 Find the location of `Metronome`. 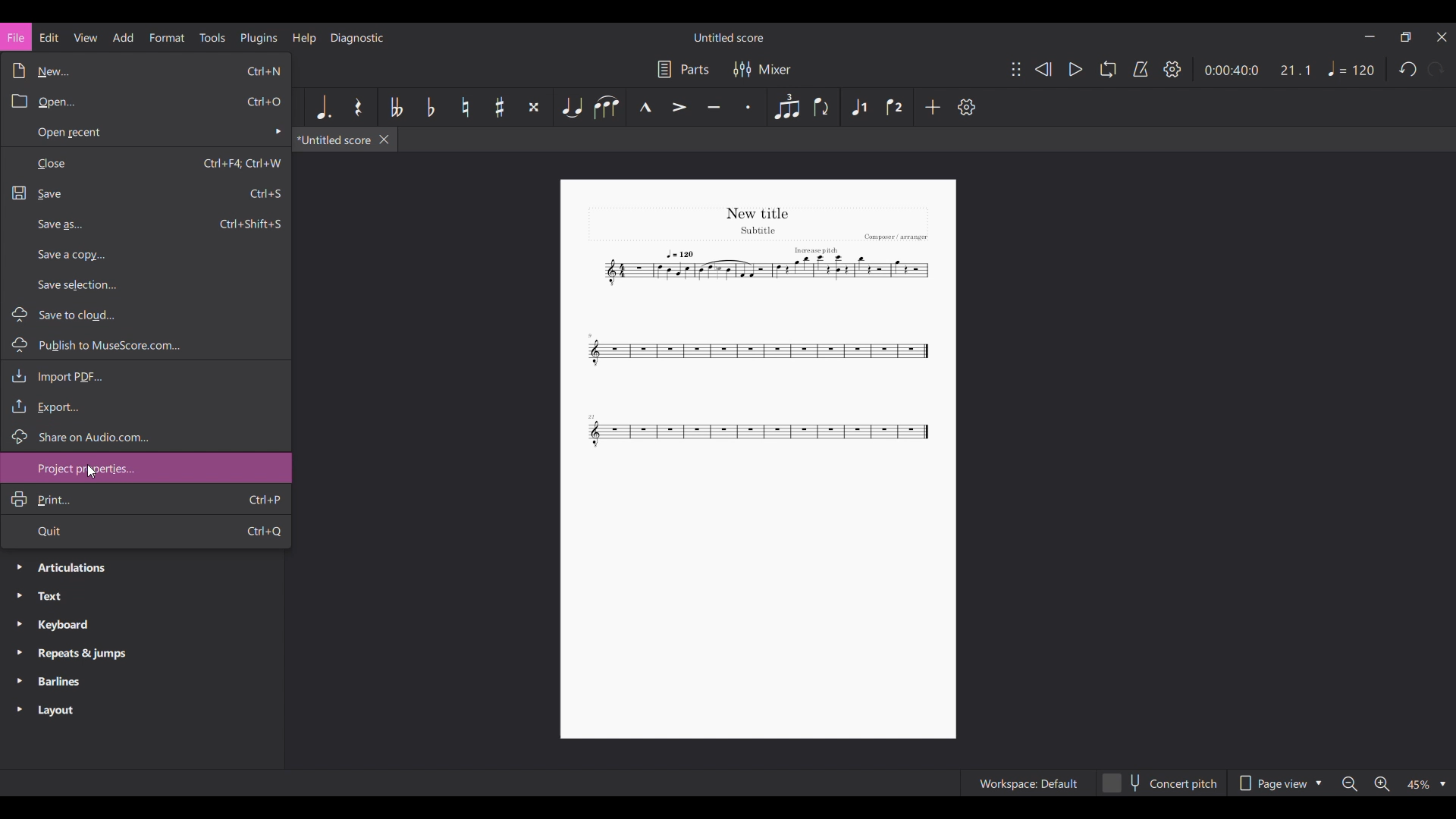

Metronome is located at coordinates (1141, 70).